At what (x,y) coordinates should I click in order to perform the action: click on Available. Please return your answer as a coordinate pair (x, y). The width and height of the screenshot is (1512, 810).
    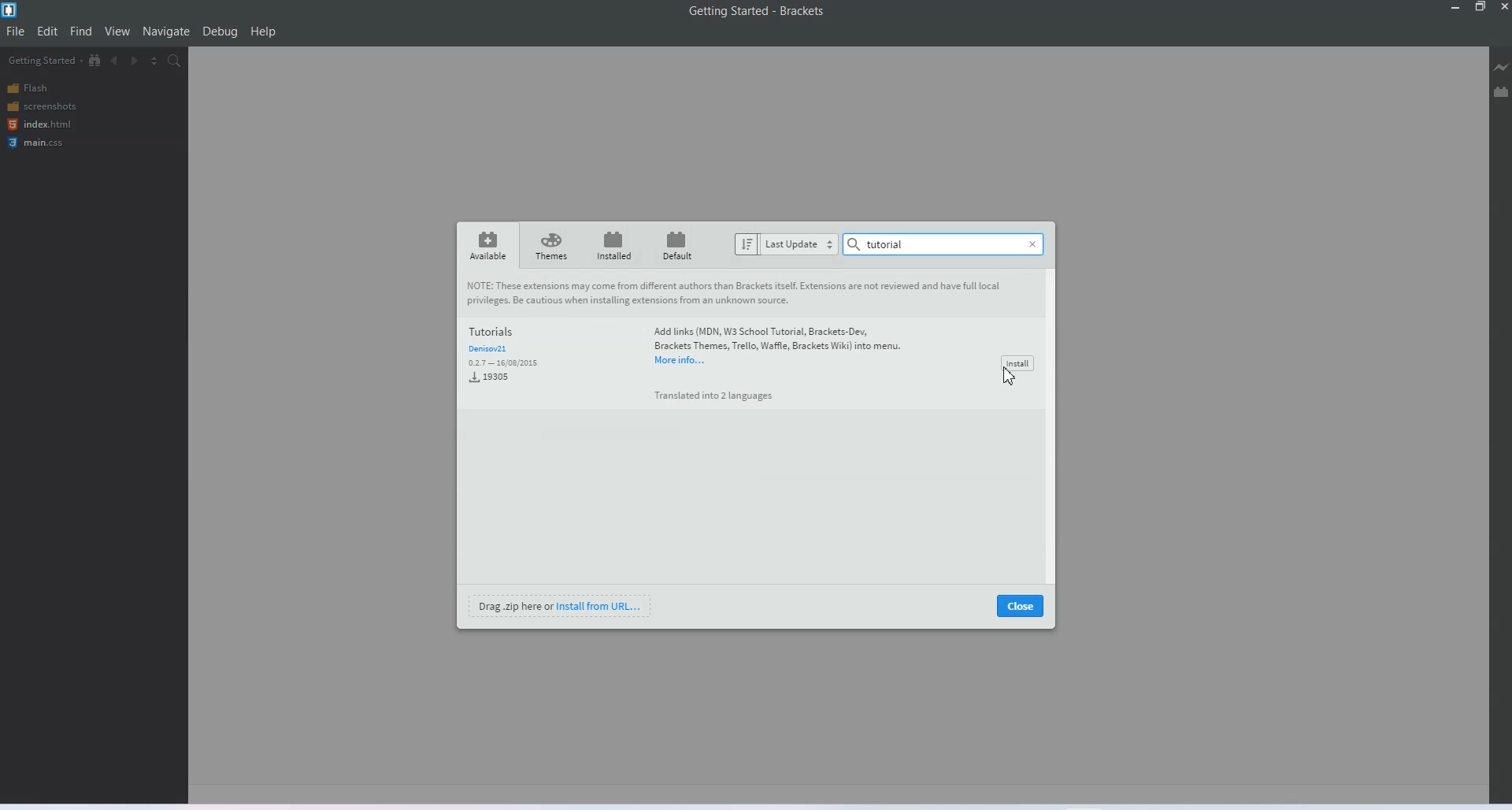
    Looking at the image, I should click on (487, 244).